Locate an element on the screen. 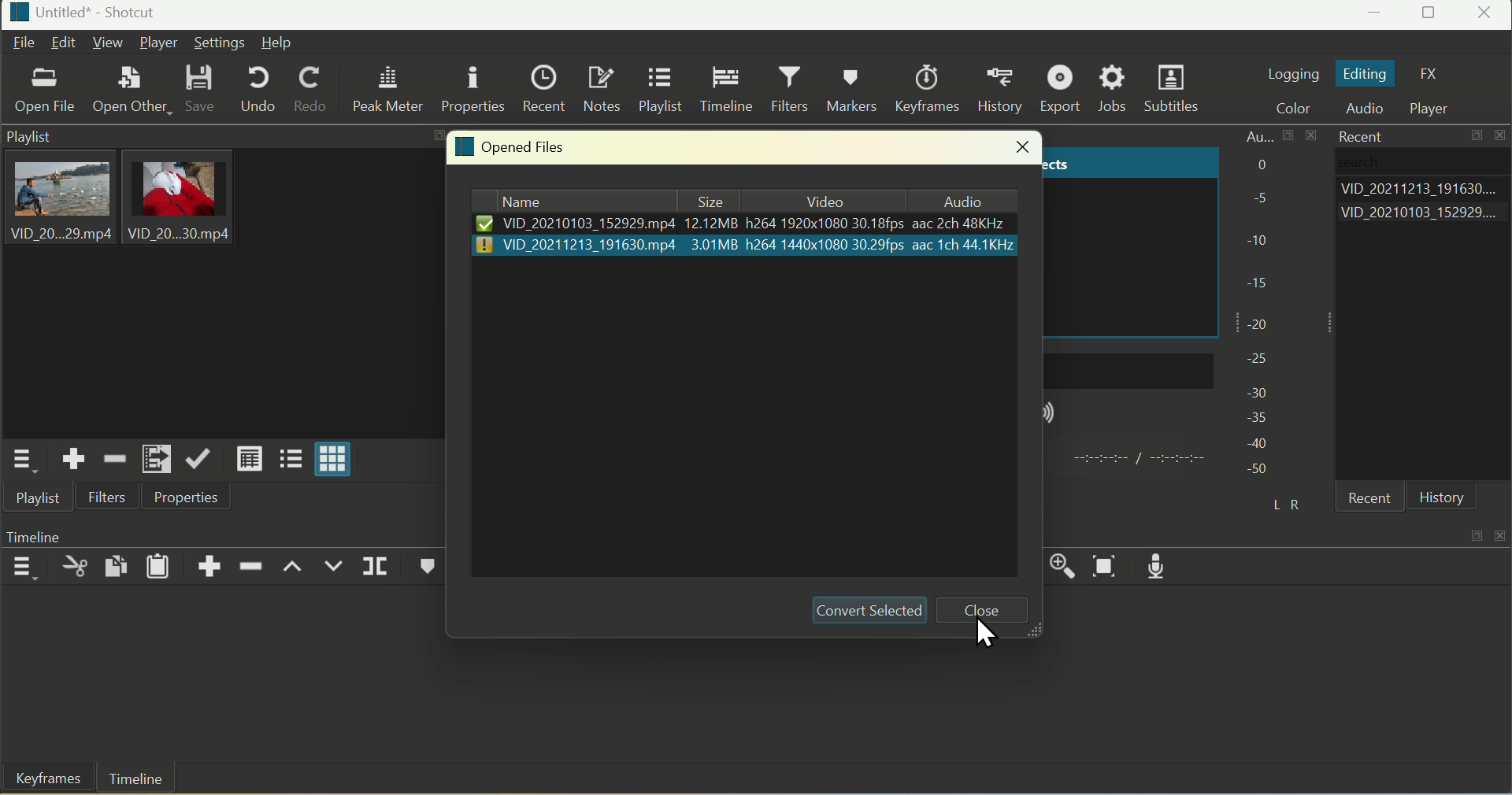 Image resolution: width=1512 pixels, height=795 pixels. Open Other is located at coordinates (128, 87).